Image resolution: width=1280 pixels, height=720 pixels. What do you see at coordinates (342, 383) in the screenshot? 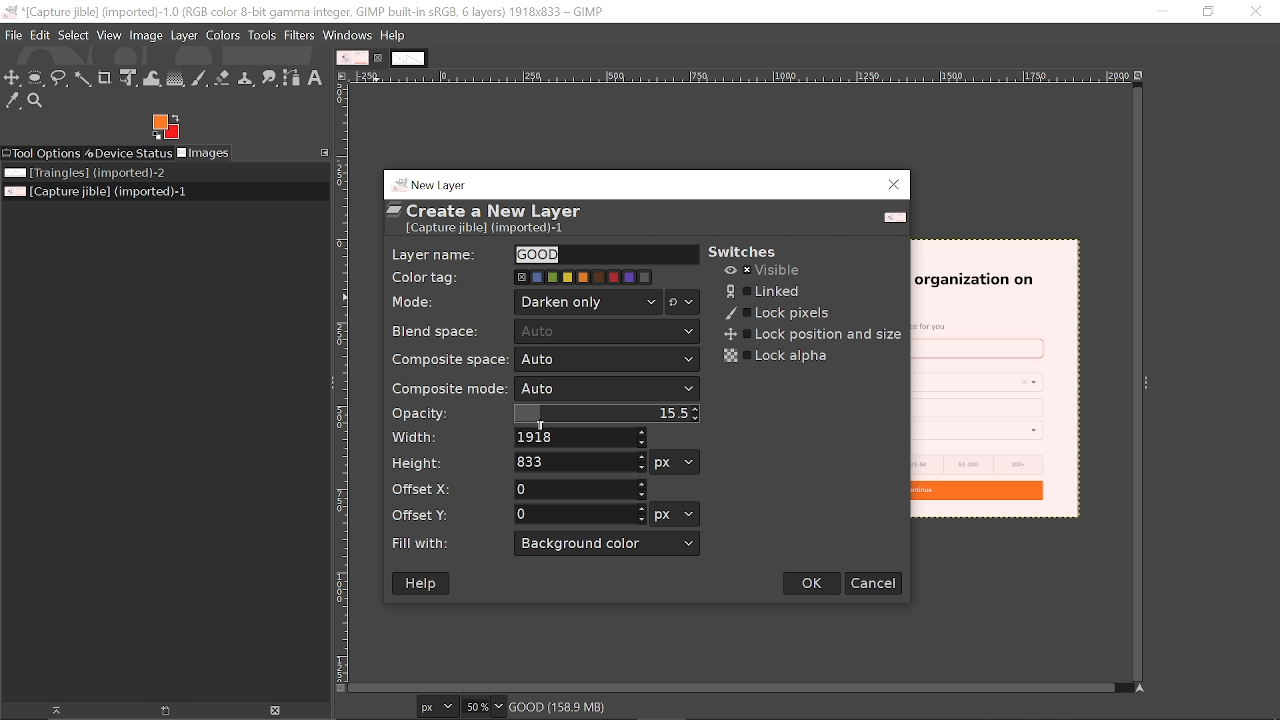
I see `Vertical label` at bounding box center [342, 383].